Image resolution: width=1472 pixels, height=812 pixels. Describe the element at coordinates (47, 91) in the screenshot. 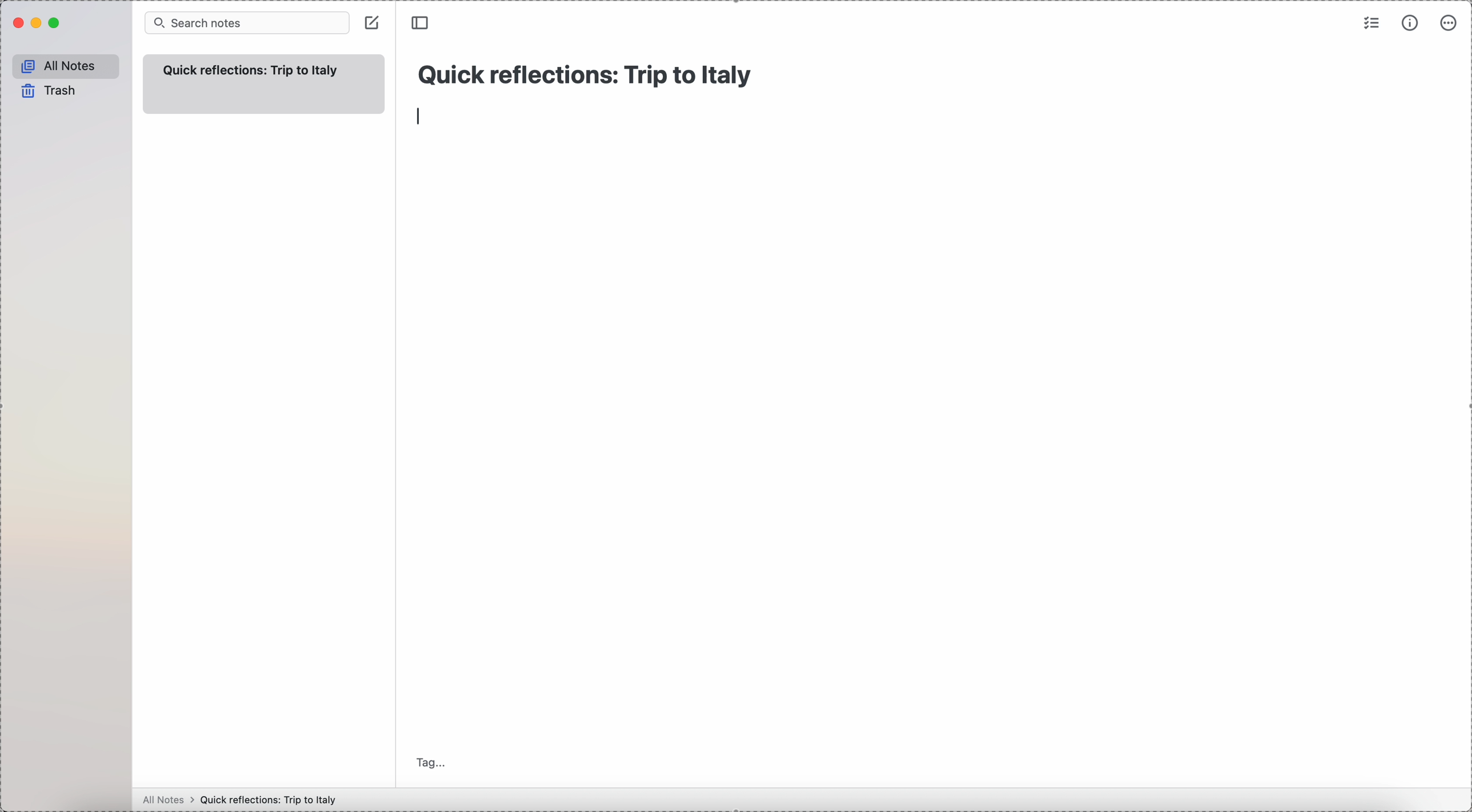

I see `trash` at that location.